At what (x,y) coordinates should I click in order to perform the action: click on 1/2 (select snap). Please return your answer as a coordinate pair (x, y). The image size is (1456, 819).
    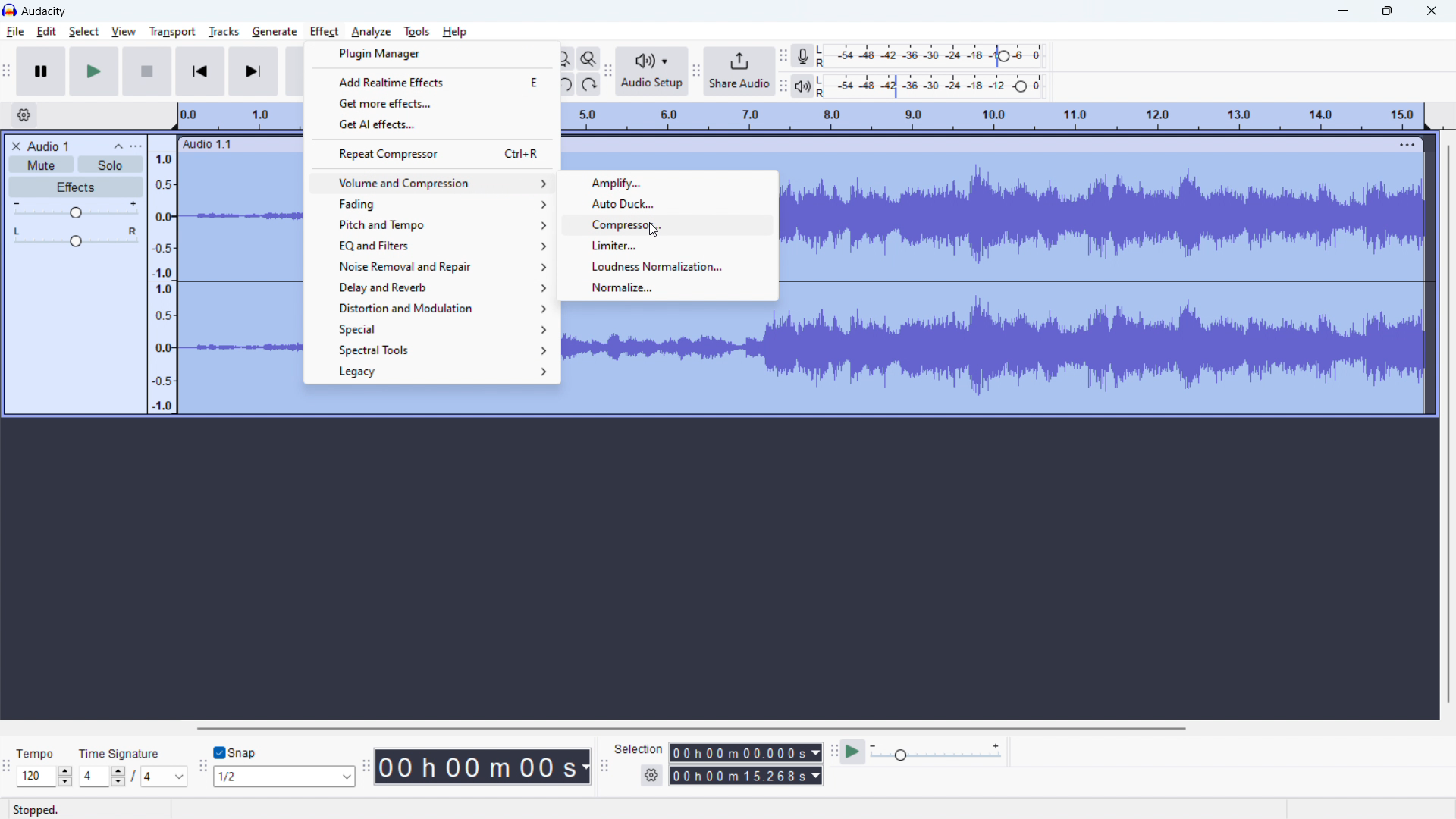
    Looking at the image, I should click on (285, 776).